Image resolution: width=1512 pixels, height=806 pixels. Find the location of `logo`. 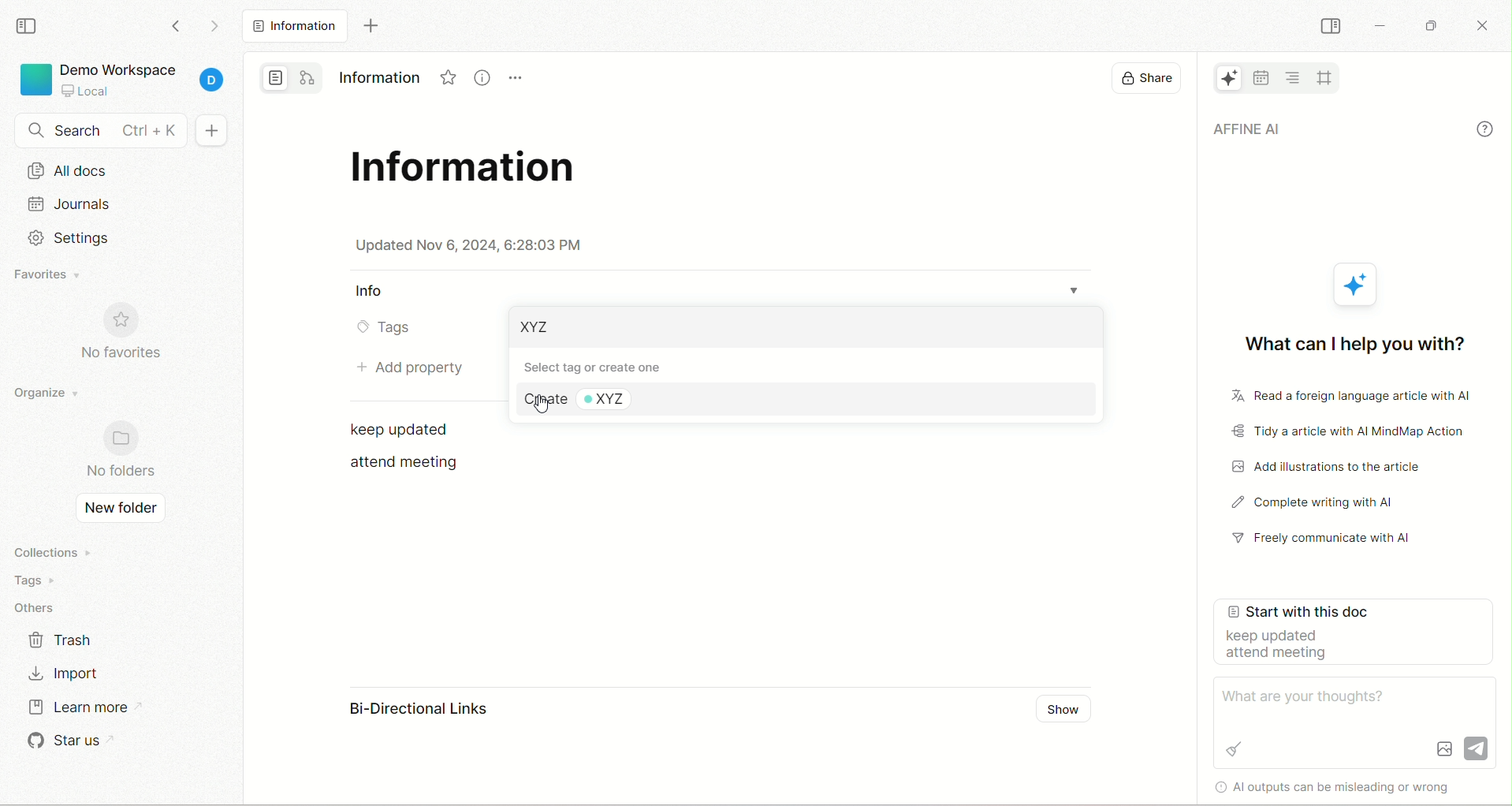

logo is located at coordinates (34, 82).